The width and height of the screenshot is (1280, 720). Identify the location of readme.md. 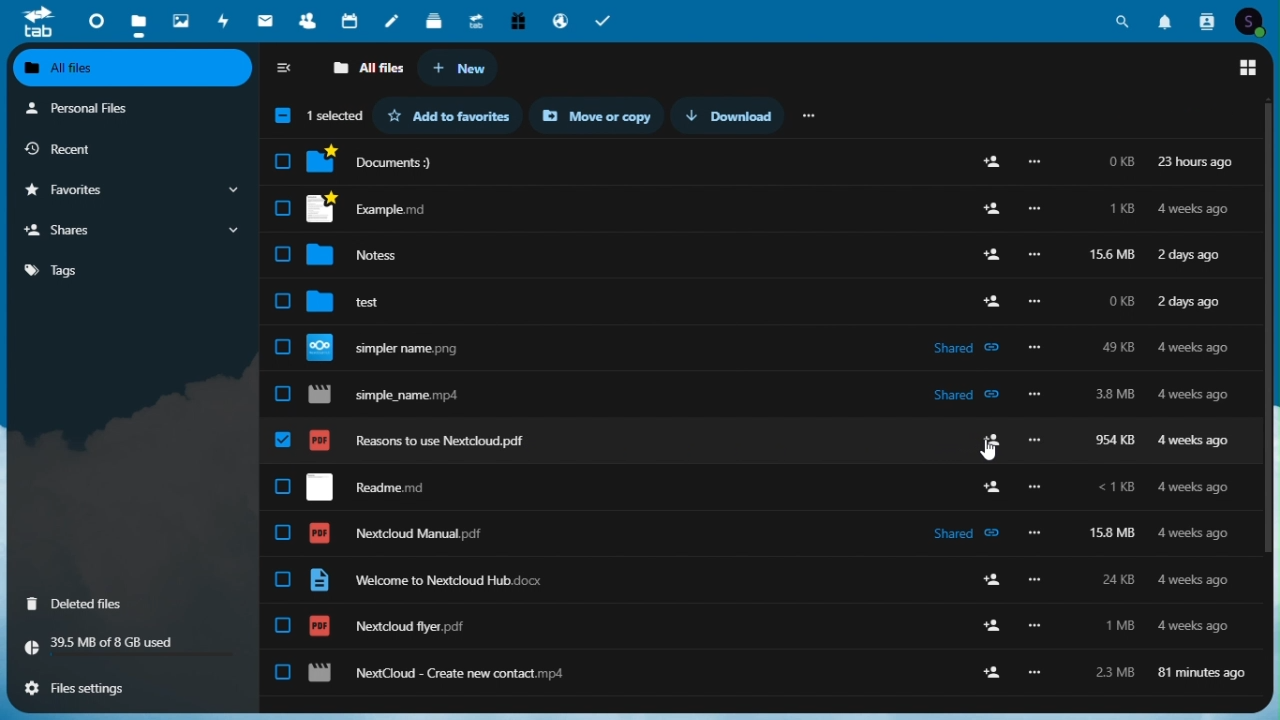
(365, 486).